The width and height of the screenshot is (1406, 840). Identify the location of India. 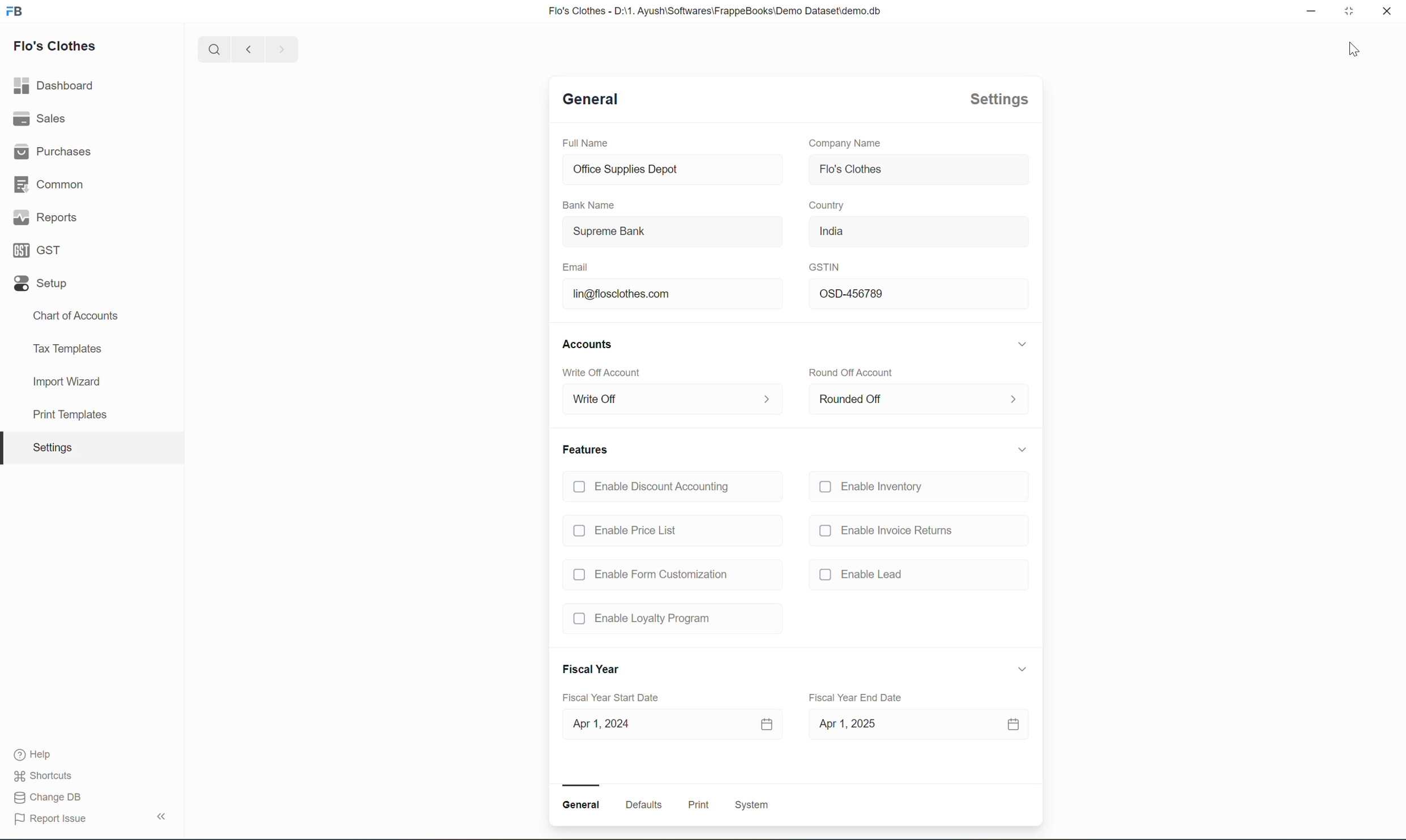
(918, 232).